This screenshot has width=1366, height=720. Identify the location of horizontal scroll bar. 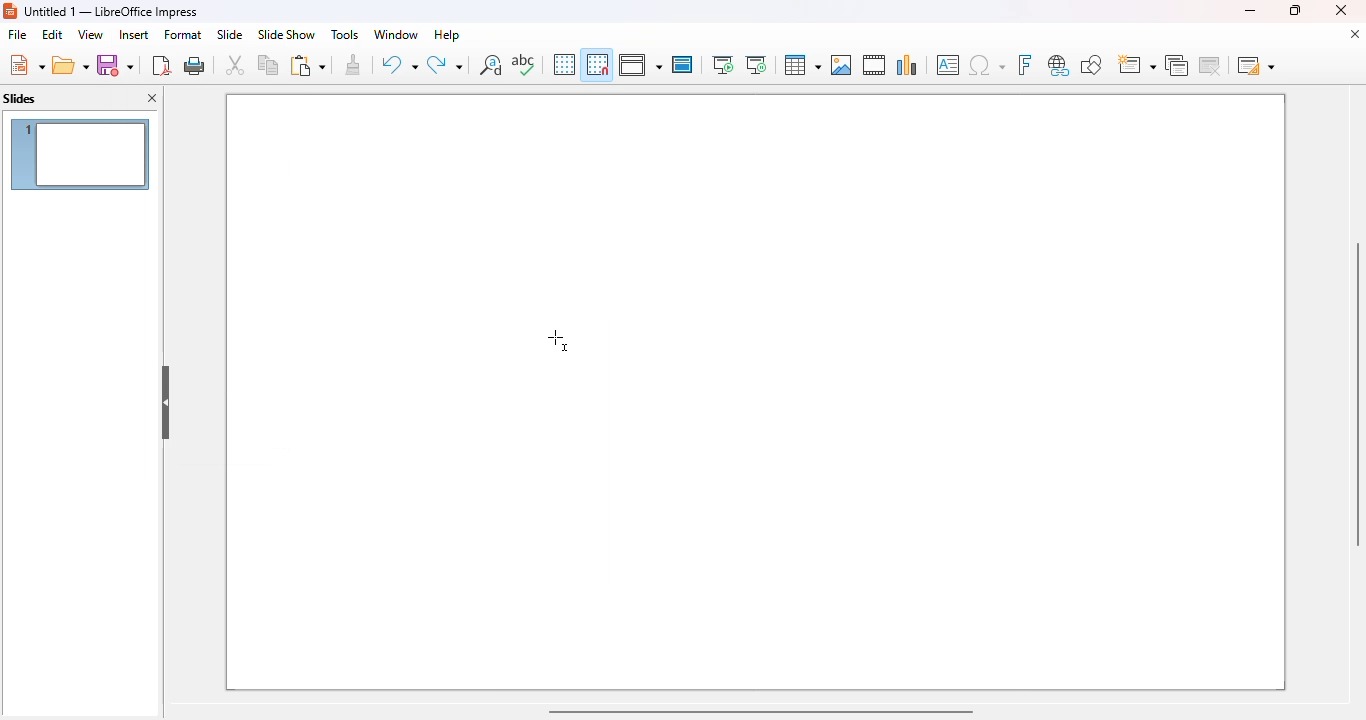
(759, 710).